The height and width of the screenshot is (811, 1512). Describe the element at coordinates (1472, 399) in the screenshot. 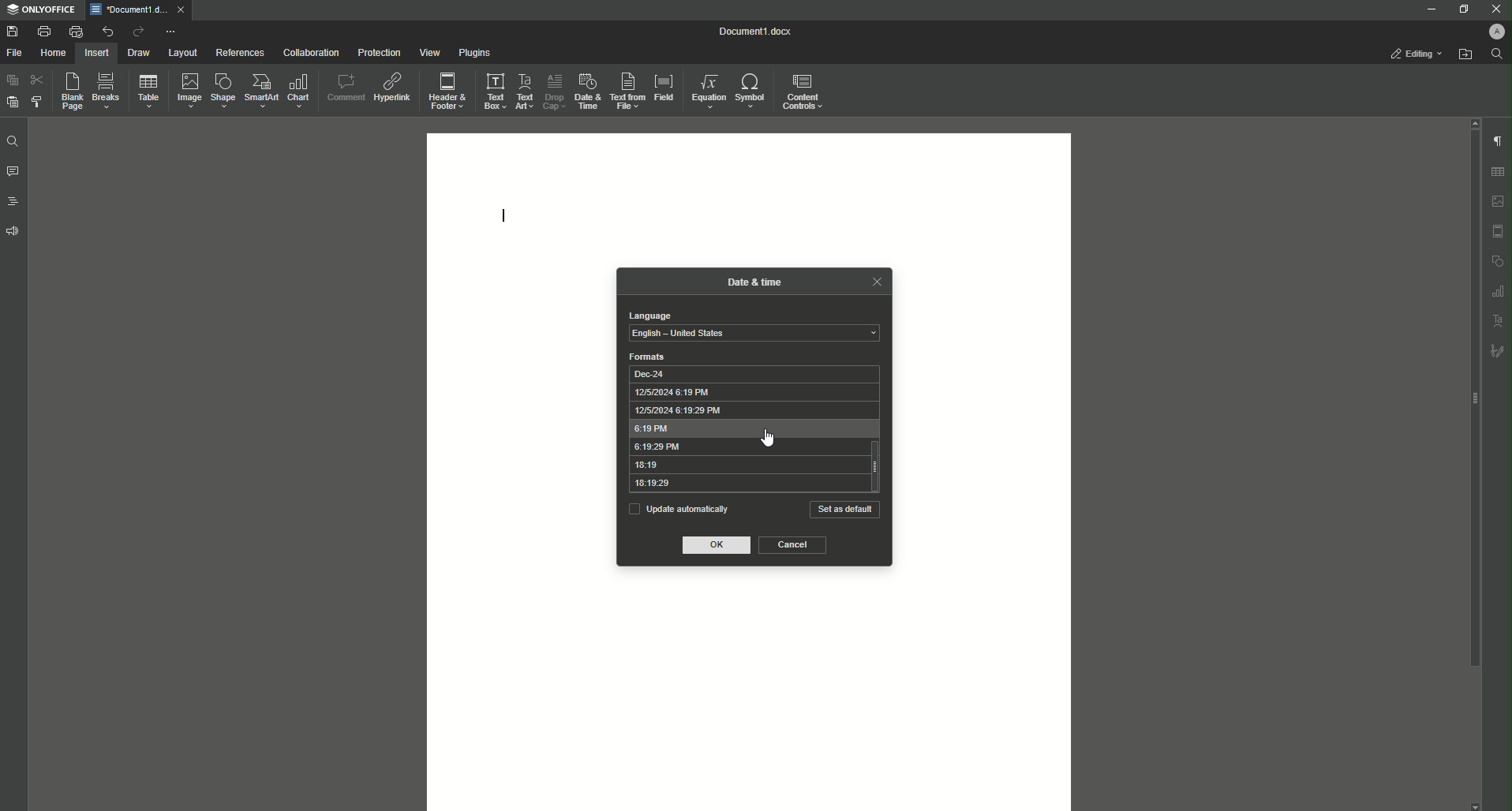

I see `scroll bar` at that location.